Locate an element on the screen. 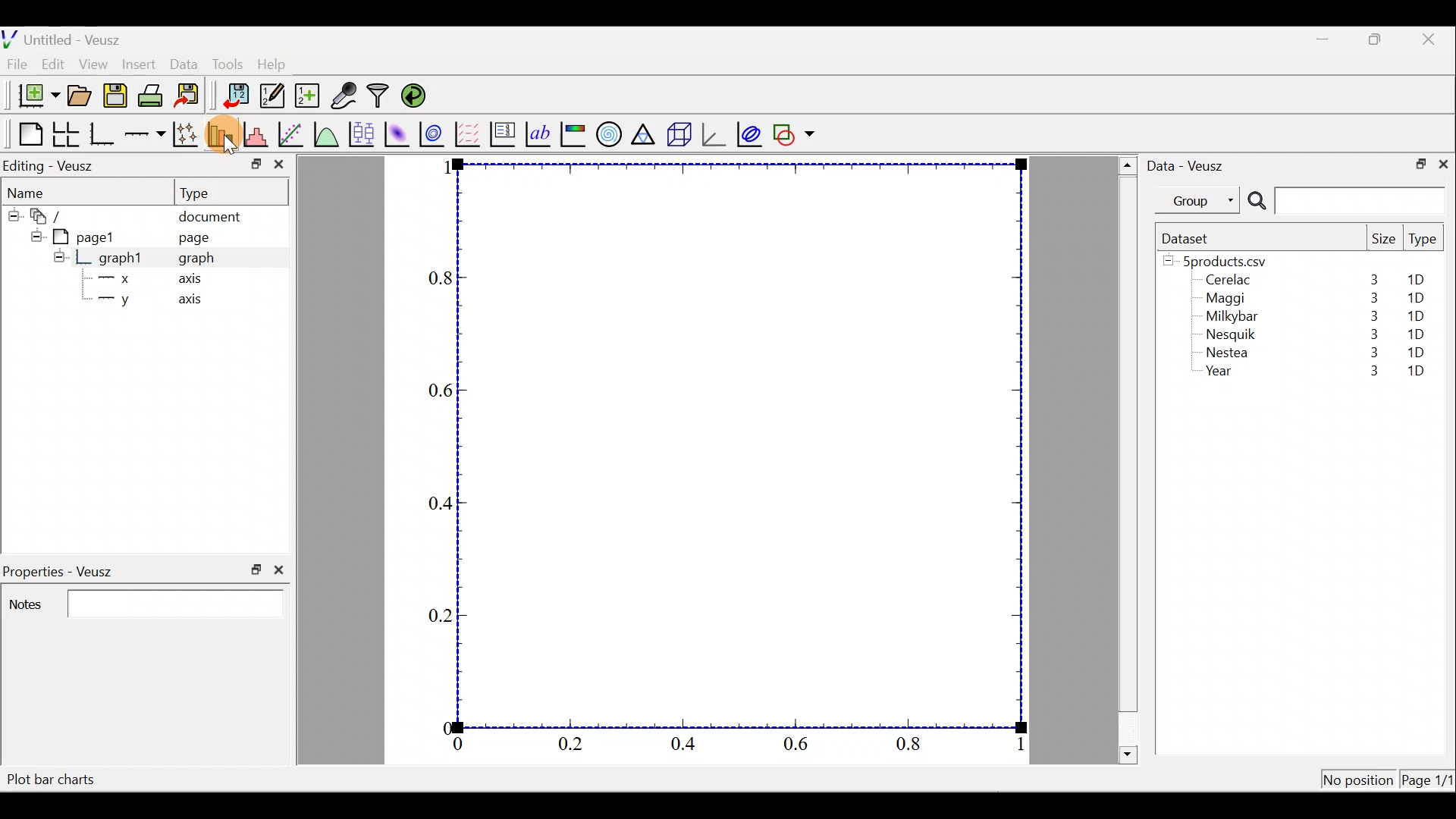  close is located at coordinates (282, 570).